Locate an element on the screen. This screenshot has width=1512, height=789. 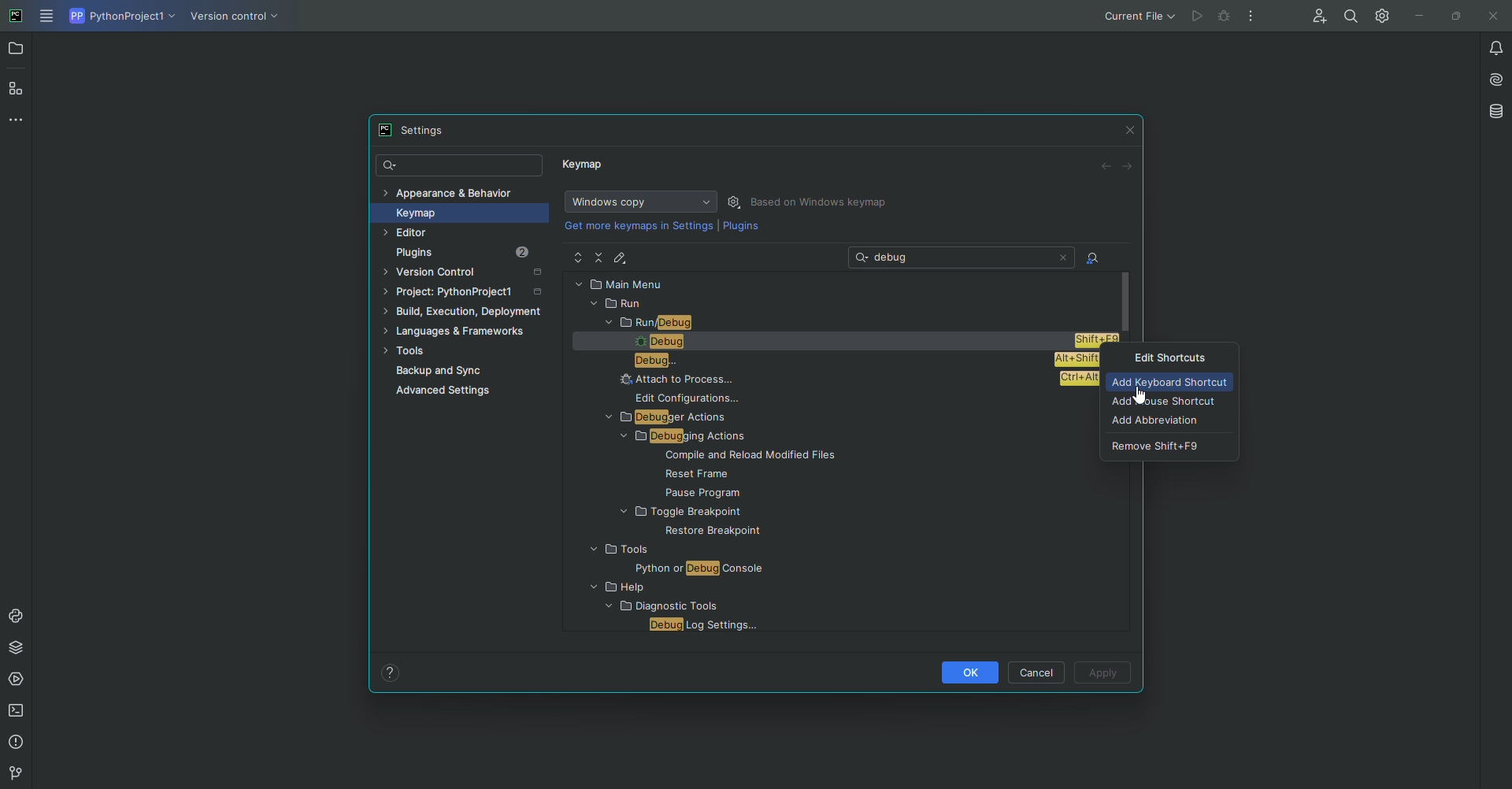
Keymap is located at coordinates (585, 168).